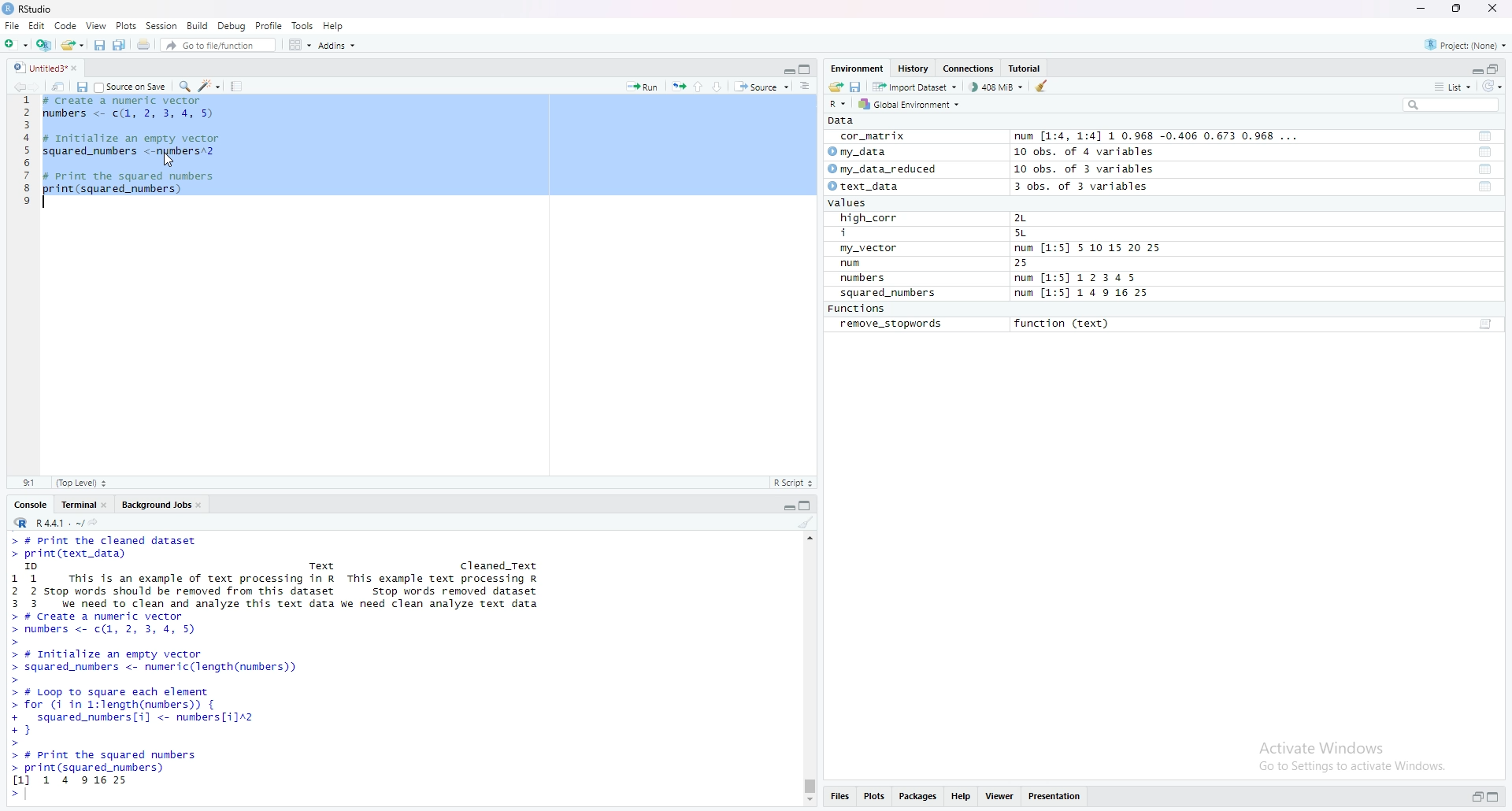  Describe the element at coordinates (859, 152) in the screenshot. I see `© my_data` at that location.